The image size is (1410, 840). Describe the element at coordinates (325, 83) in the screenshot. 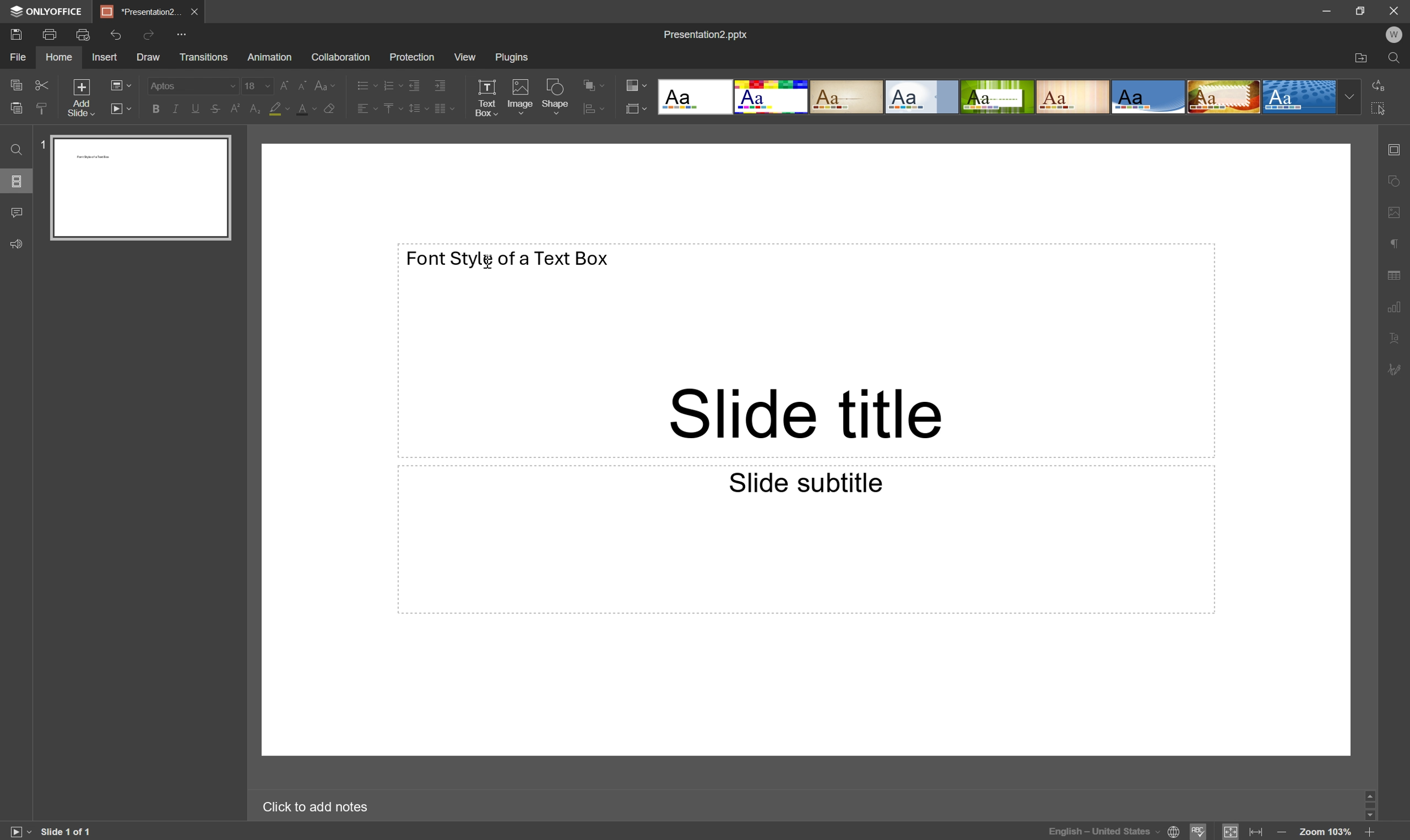

I see `Change case` at that location.